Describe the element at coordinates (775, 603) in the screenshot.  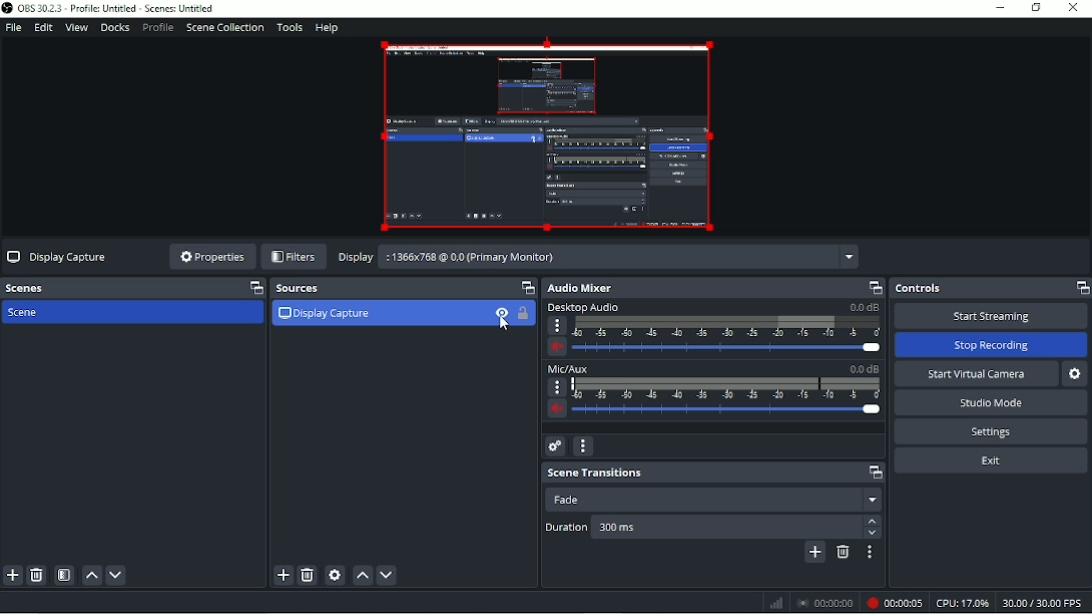
I see `Graph` at that location.